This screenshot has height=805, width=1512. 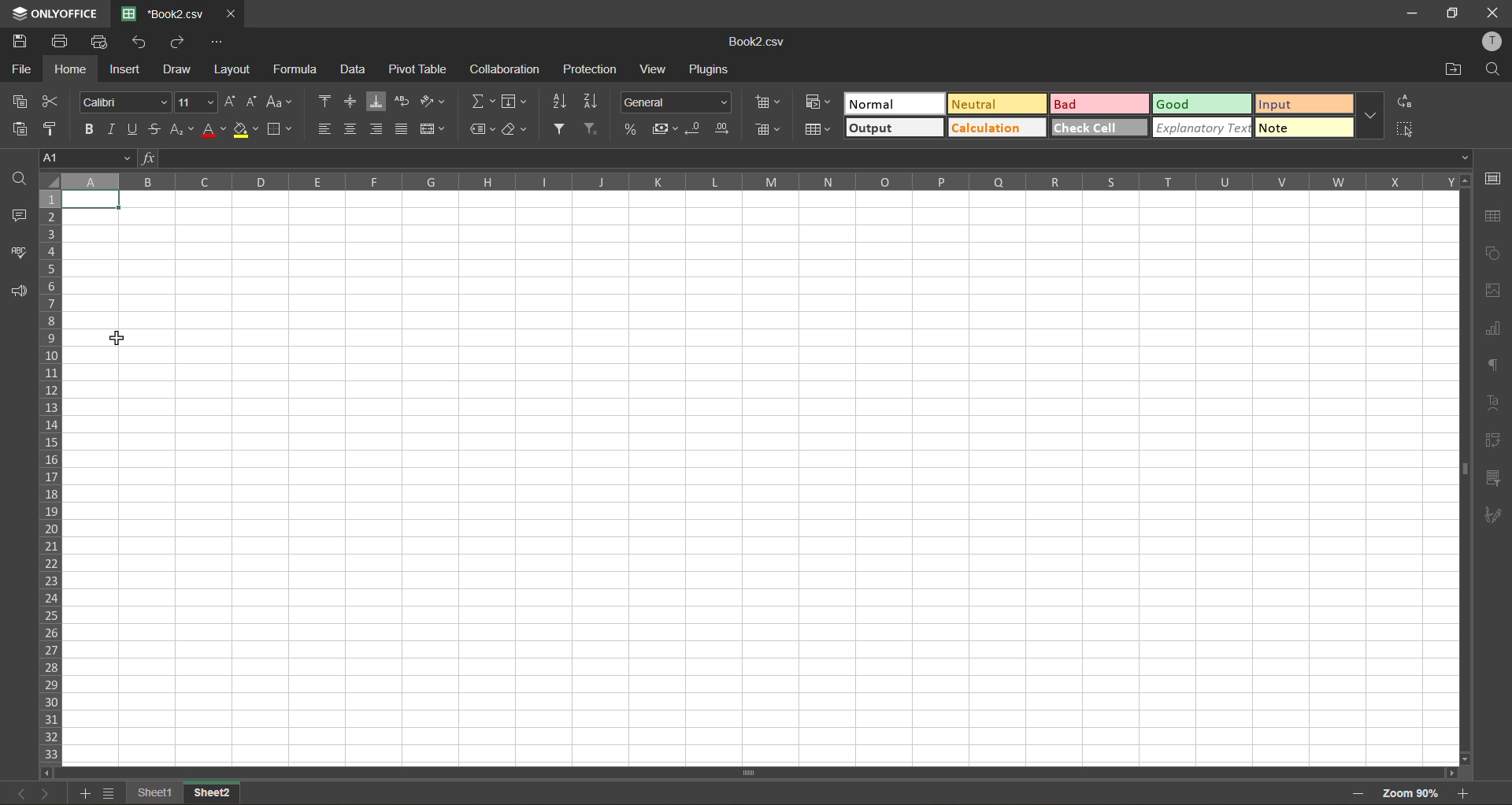 What do you see at coordinates (380, 129) in the screenshot?
I see `align right` at bounding box center [380, 129].